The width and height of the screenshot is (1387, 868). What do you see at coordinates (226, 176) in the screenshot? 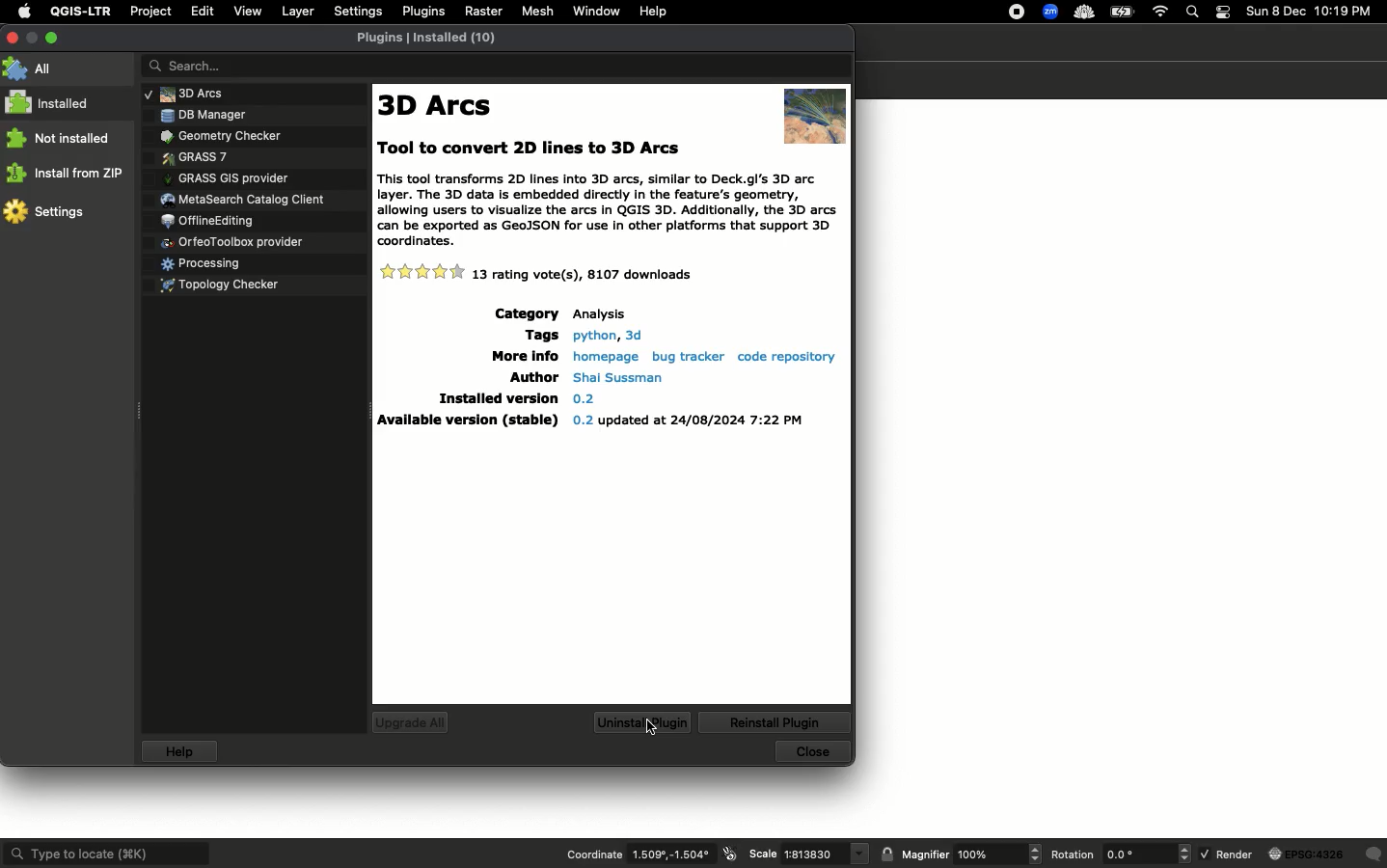
I see `Plugins` at bounding box center [226, 176].